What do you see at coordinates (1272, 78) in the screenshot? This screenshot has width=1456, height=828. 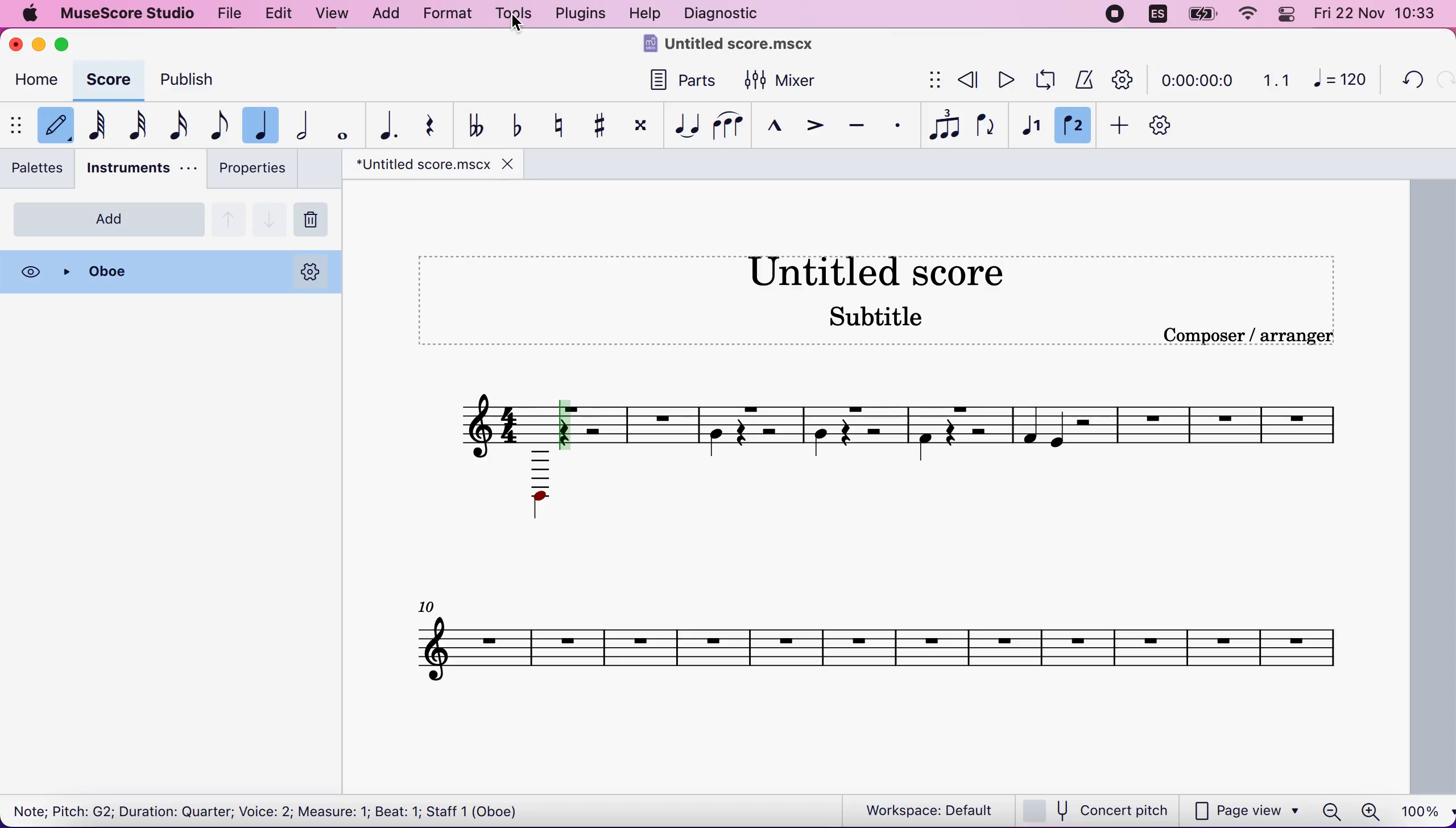 I see `1.1` at bounding box center [1272, 78].